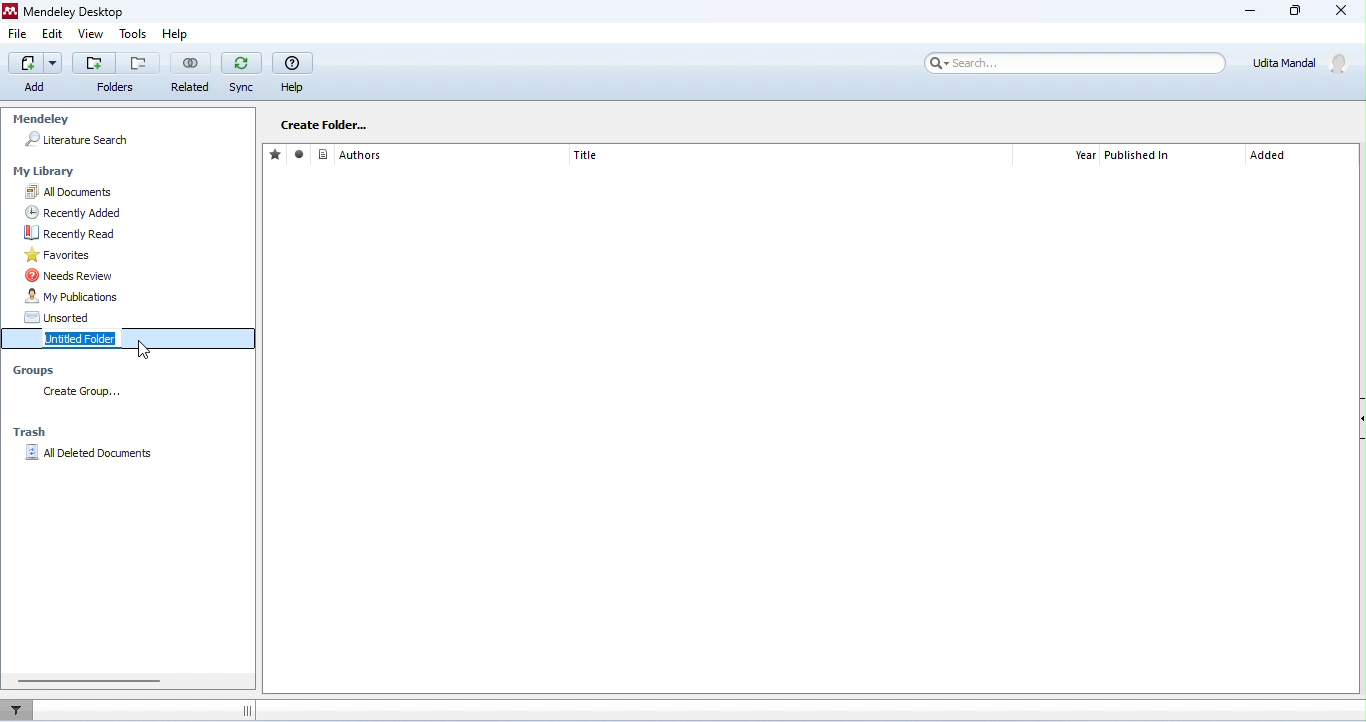 Image resolution: width=1366 pixels, height=722 pixels. What do you see at coordinates (1339, 11) in the screenshot?
I see `close` at bounding box center [1339, 11].